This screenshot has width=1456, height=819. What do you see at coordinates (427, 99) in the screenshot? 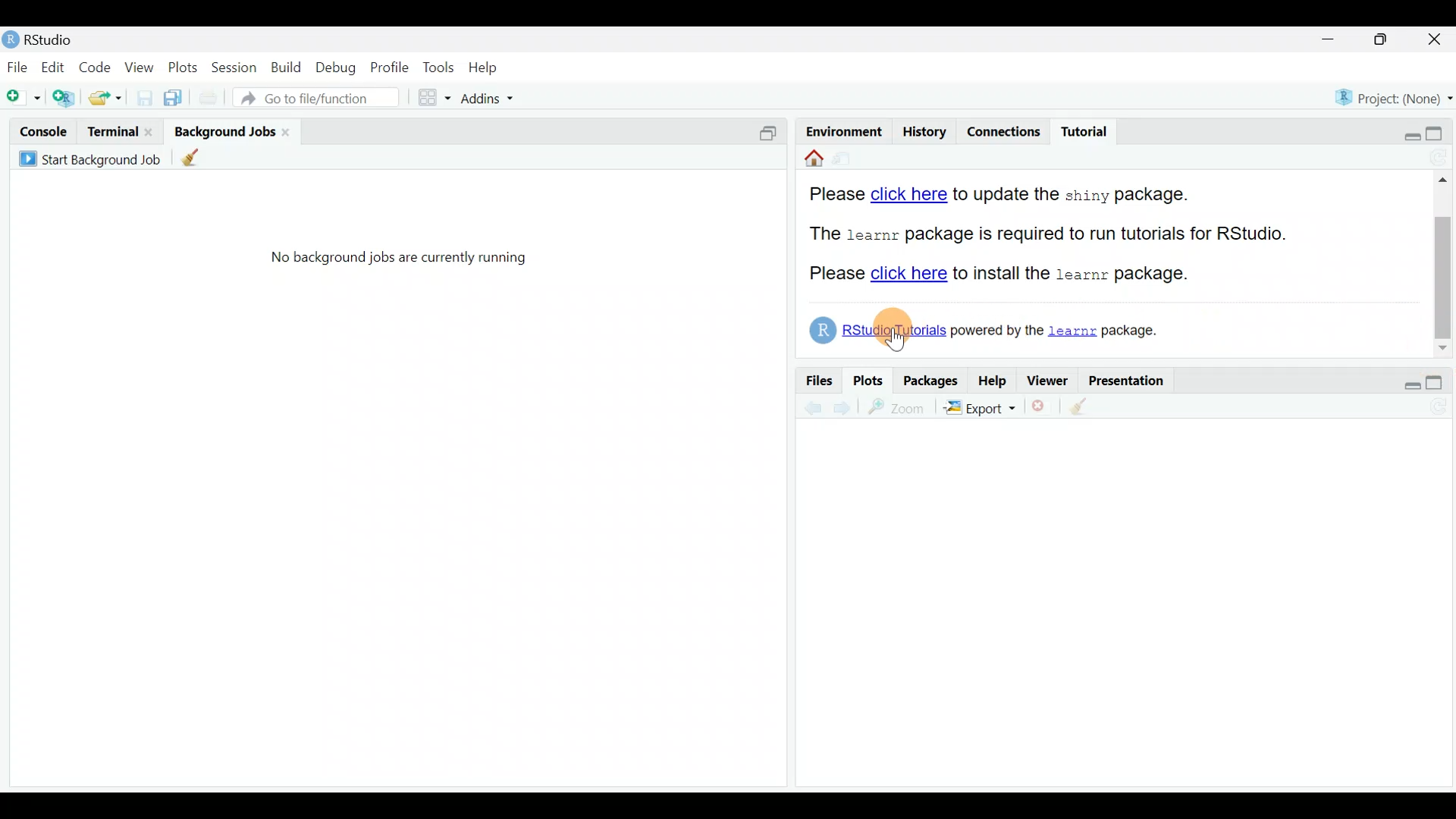
I see `Workspace panes` at bounding box center [427, 99].